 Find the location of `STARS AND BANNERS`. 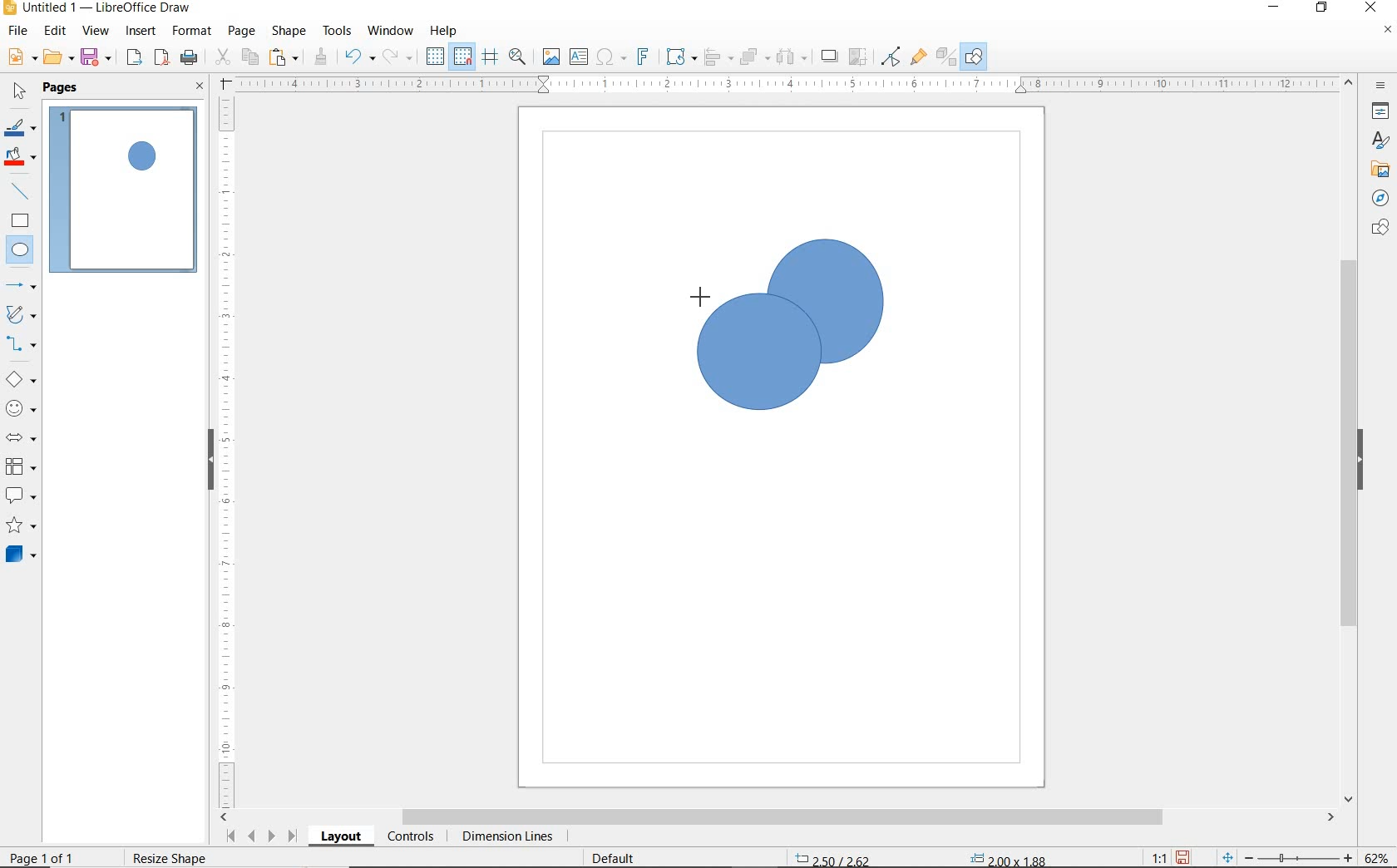

STARS AND BANNERS is located at coordinates (21, 527).